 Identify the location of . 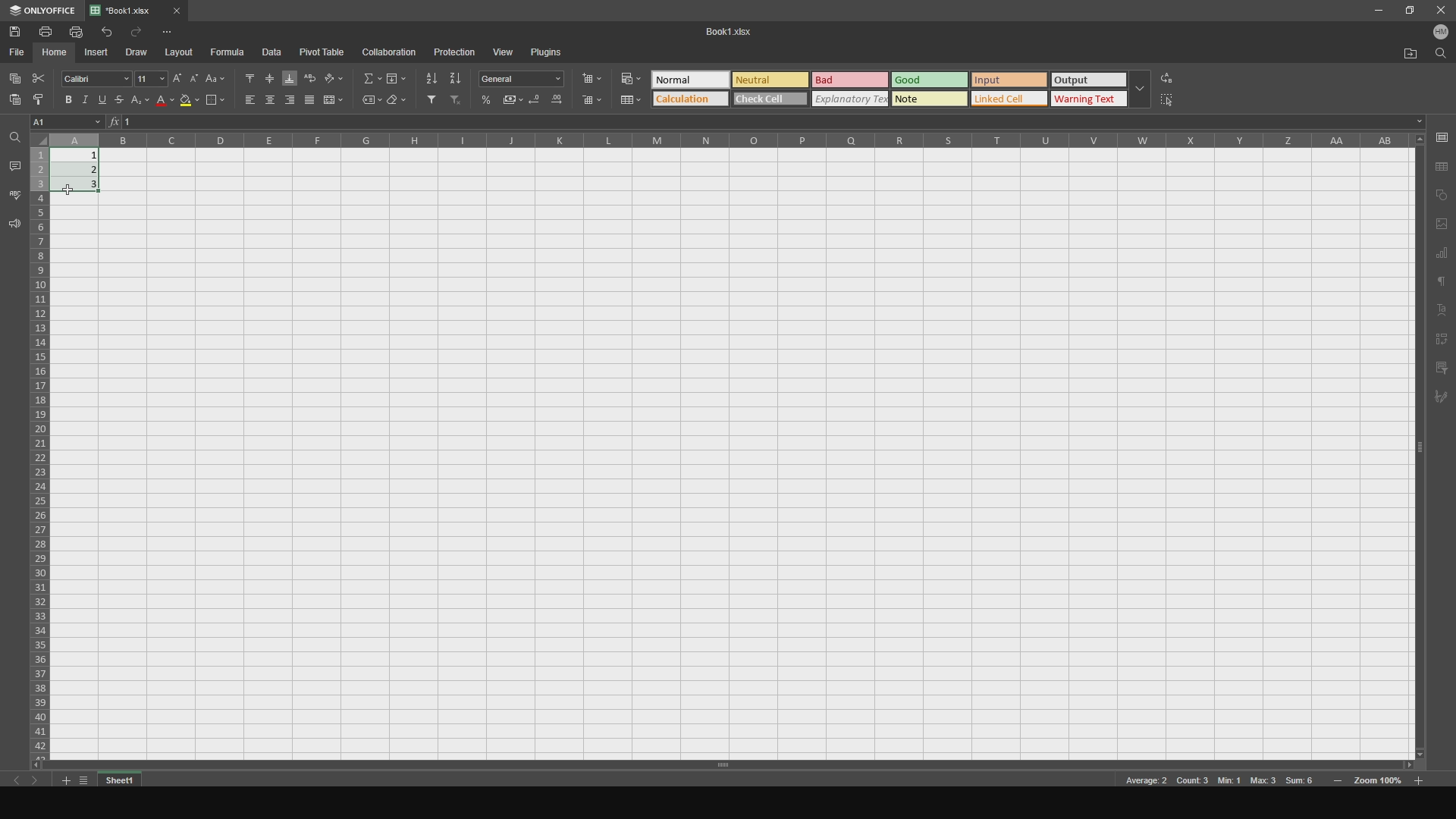
(556, 102).